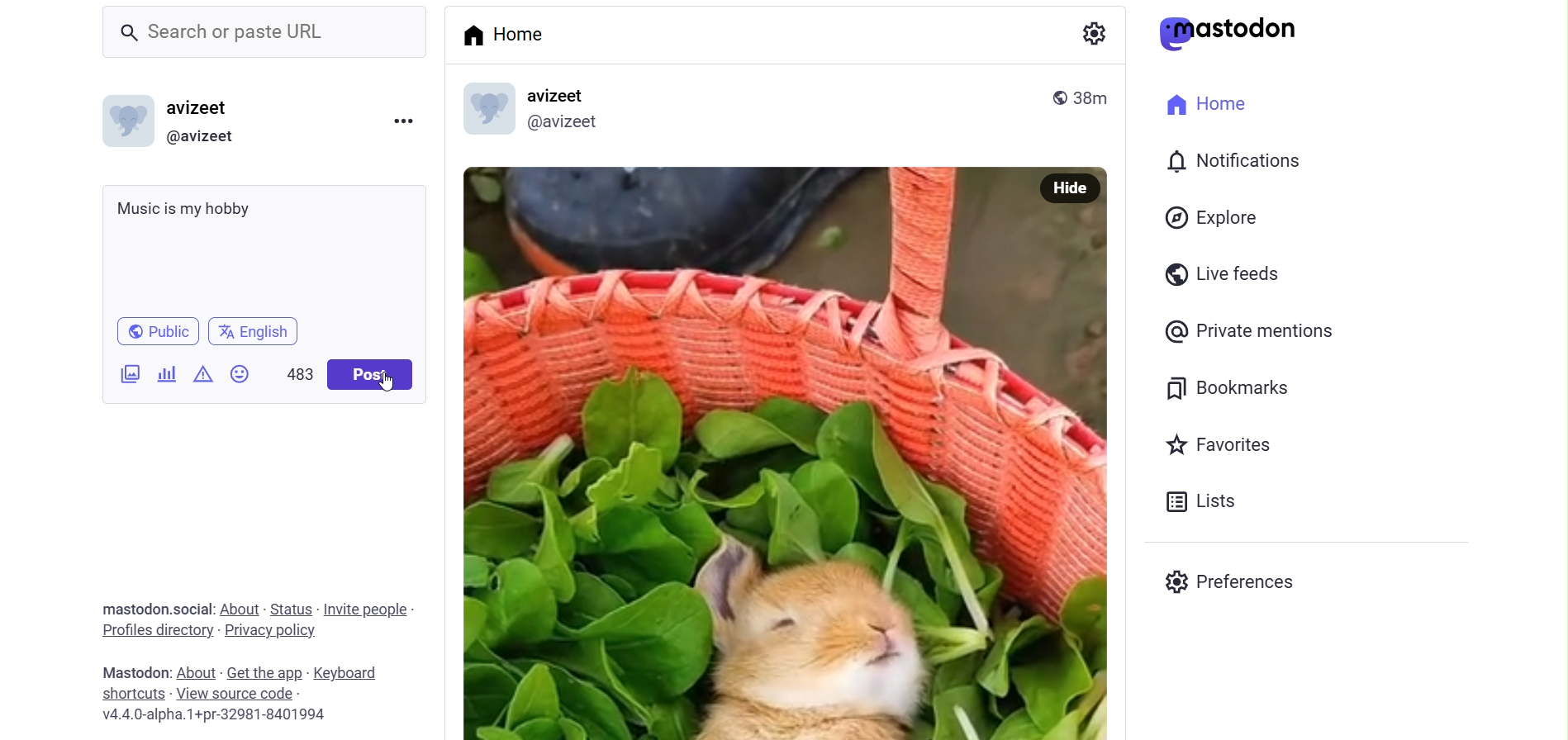 This screenshot has height=740, width=1568. What do you see at coordinates (369, 374) in the screenshot?
I see `Post` at bounding box center [369, 374].